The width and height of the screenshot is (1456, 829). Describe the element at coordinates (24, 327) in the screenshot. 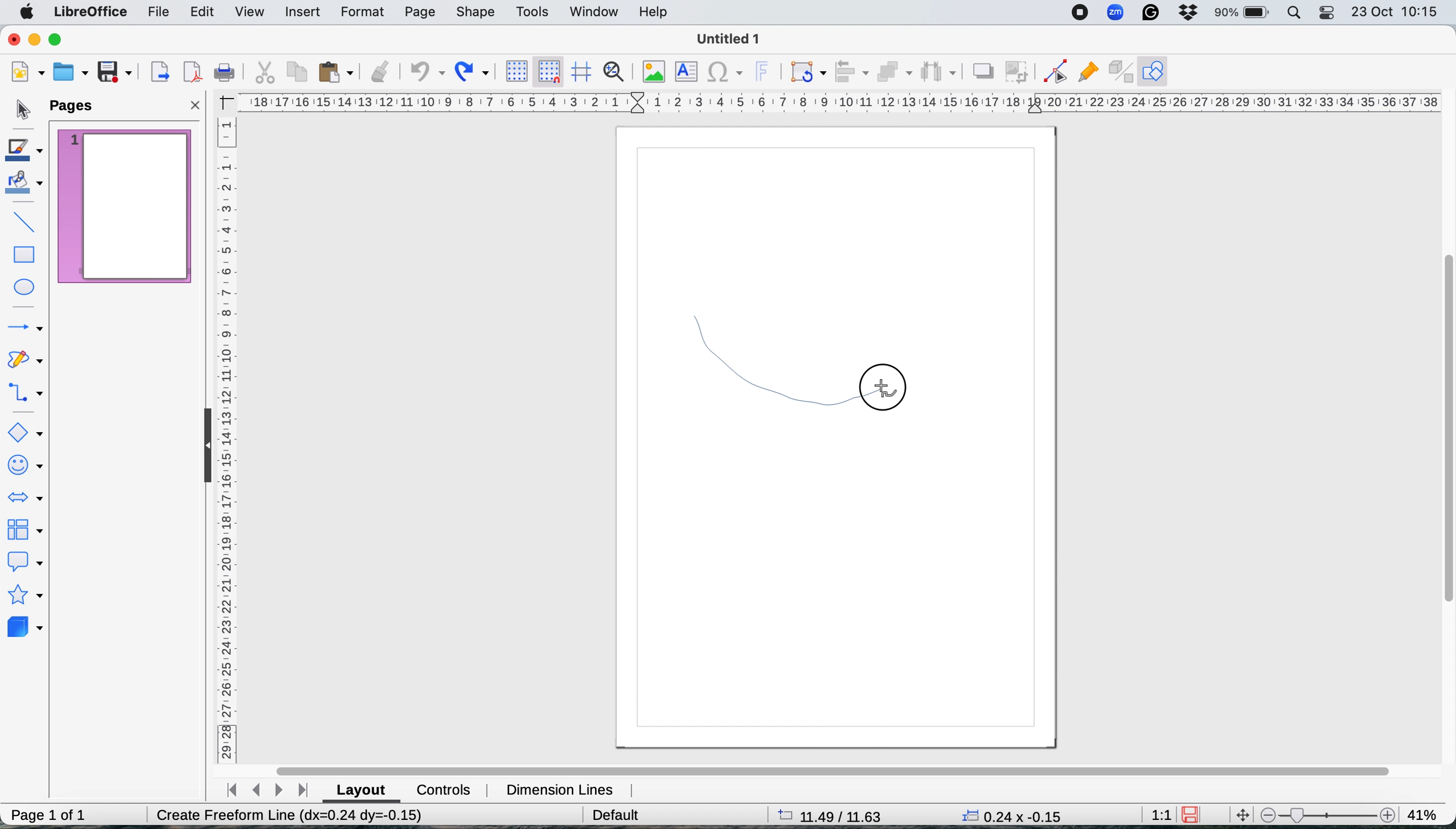

I see `lines and arrows` at that location.